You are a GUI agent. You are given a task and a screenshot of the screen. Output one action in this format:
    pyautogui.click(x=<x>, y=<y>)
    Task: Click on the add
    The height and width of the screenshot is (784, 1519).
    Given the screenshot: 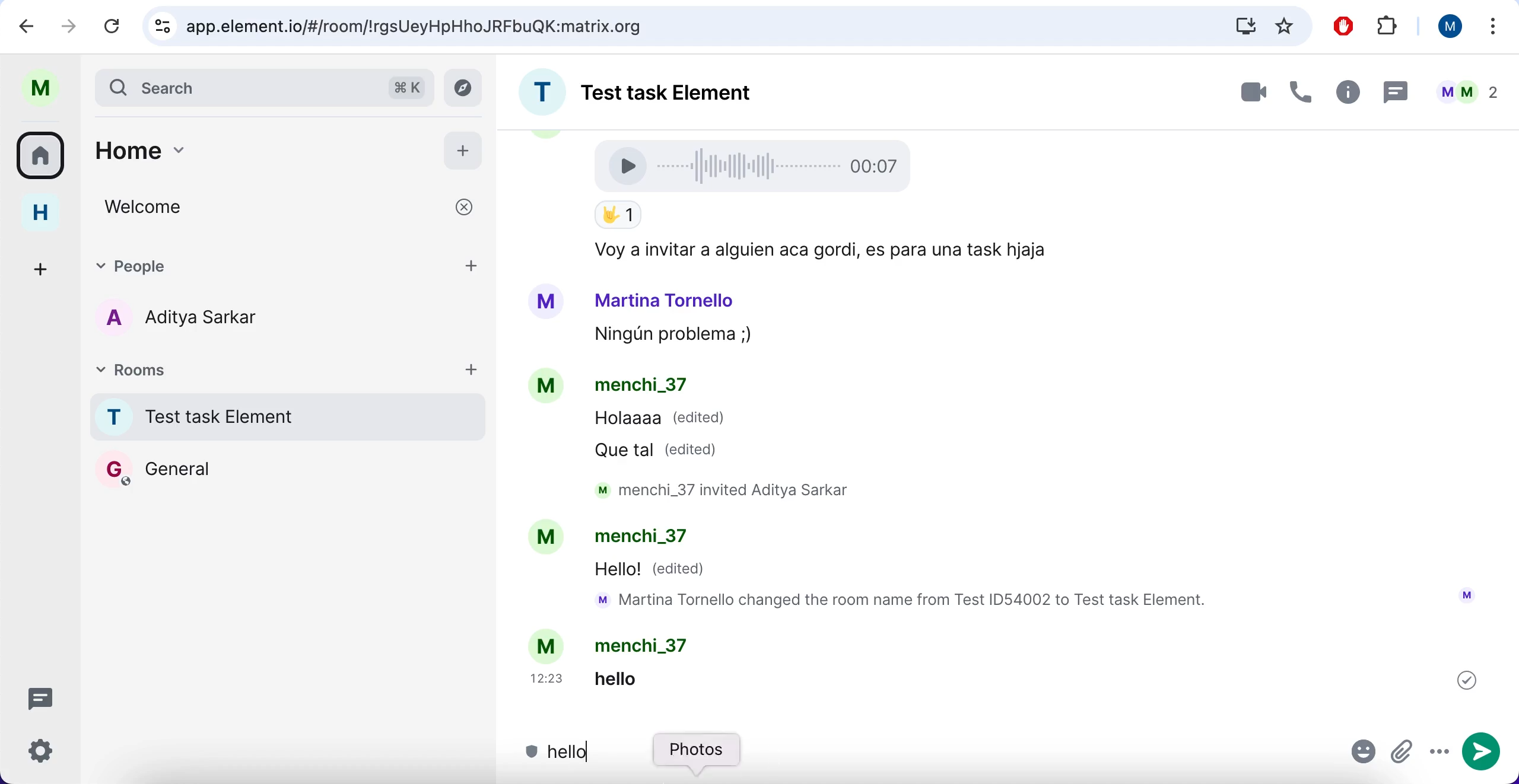 What is the action you would take?
    pyautogui.click(x=463, y=148)
    